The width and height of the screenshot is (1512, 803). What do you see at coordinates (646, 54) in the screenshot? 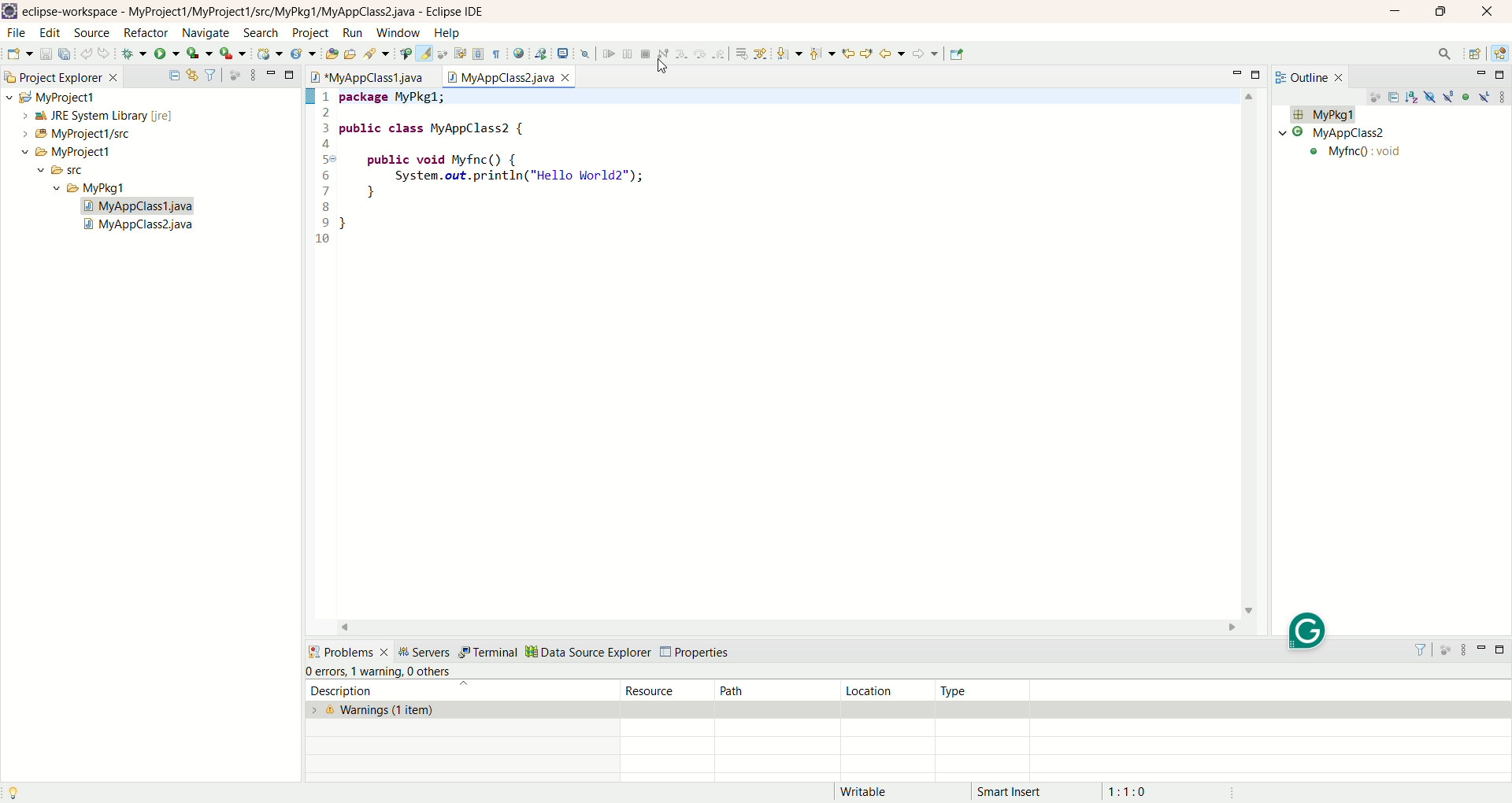
I see `terminate` at bounding box center [646, 54].